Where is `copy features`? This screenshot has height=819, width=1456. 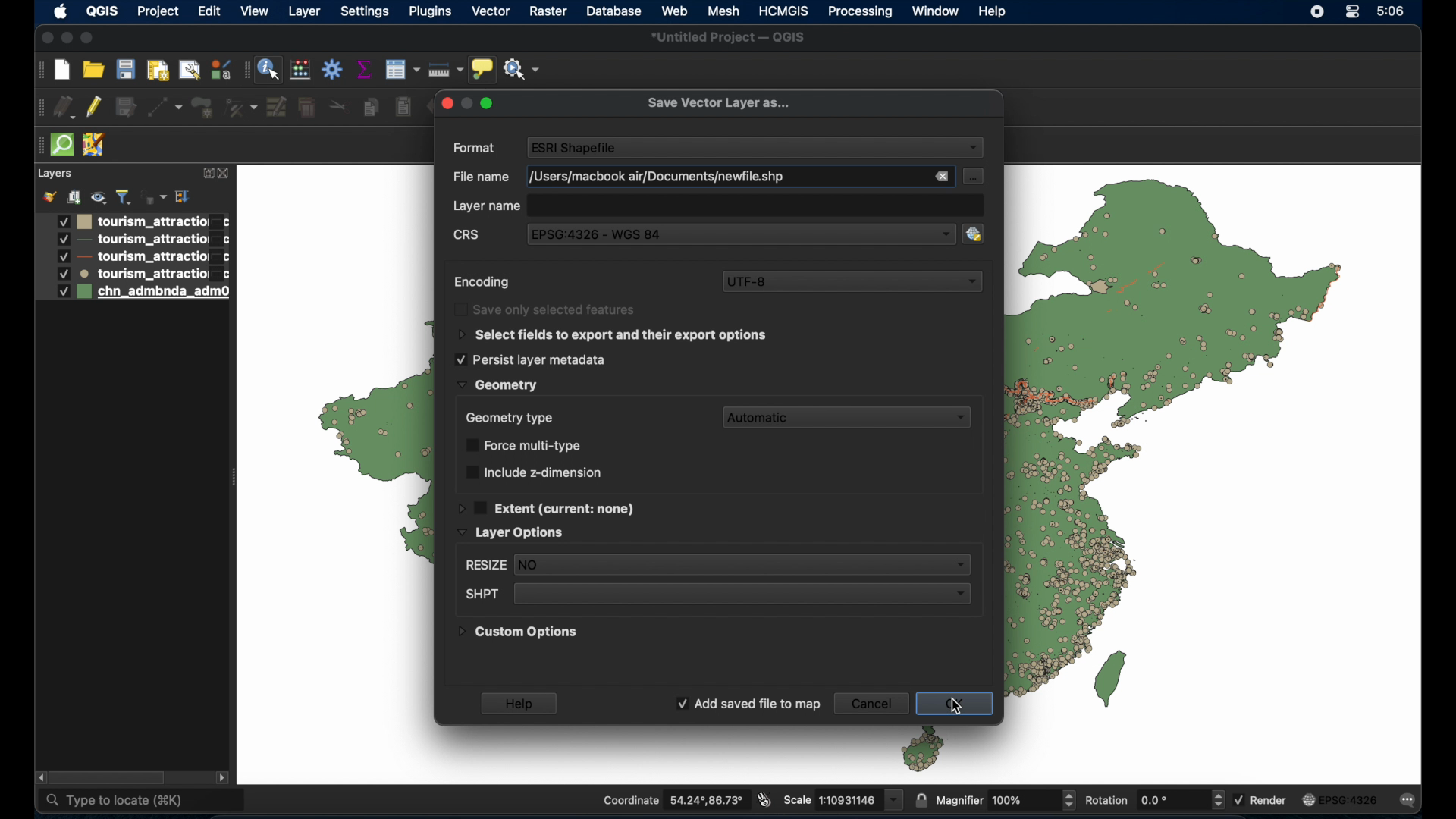
copy features is located at coordinates (370, 108).